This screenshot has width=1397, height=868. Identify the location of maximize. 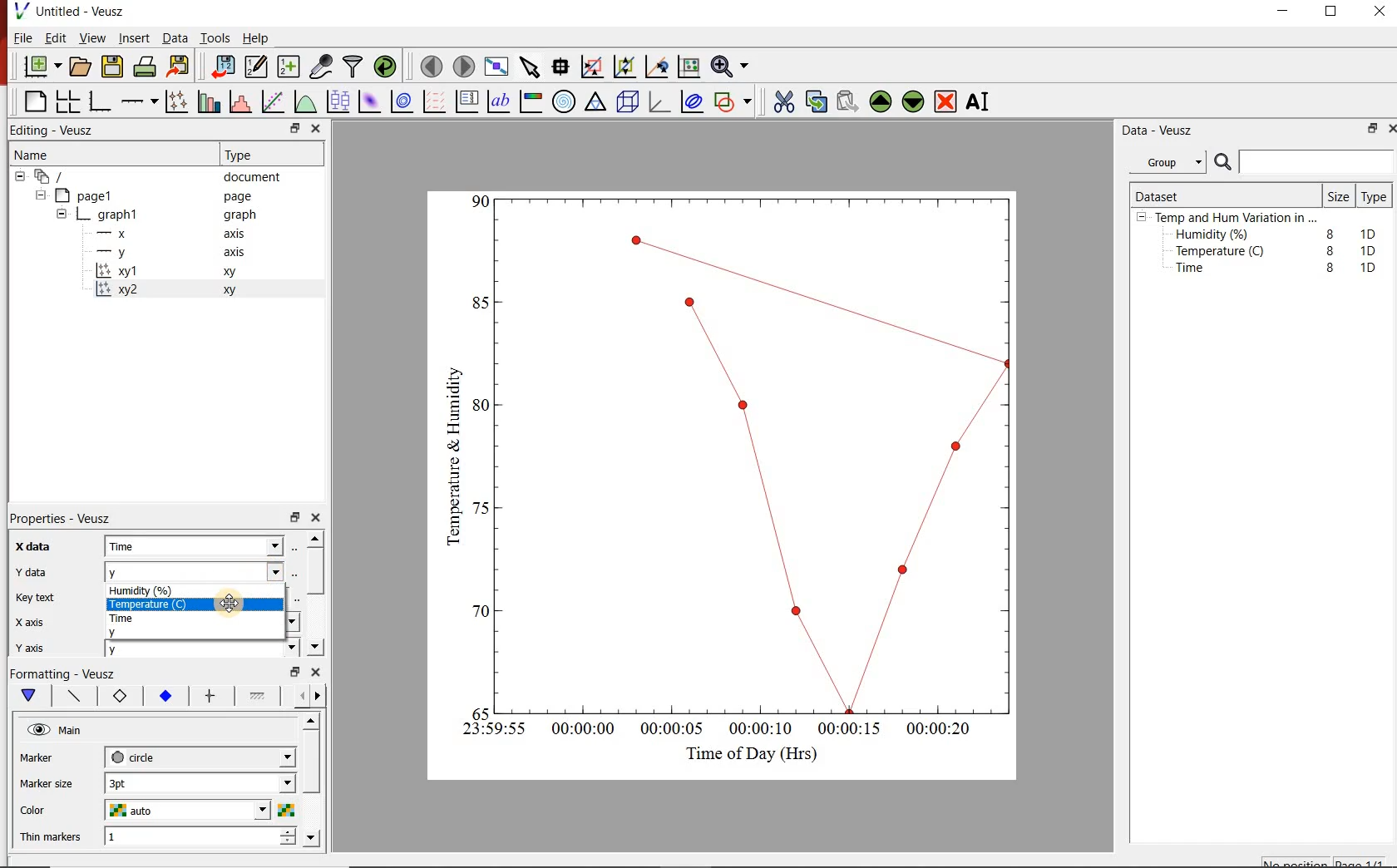
(1340, 12).